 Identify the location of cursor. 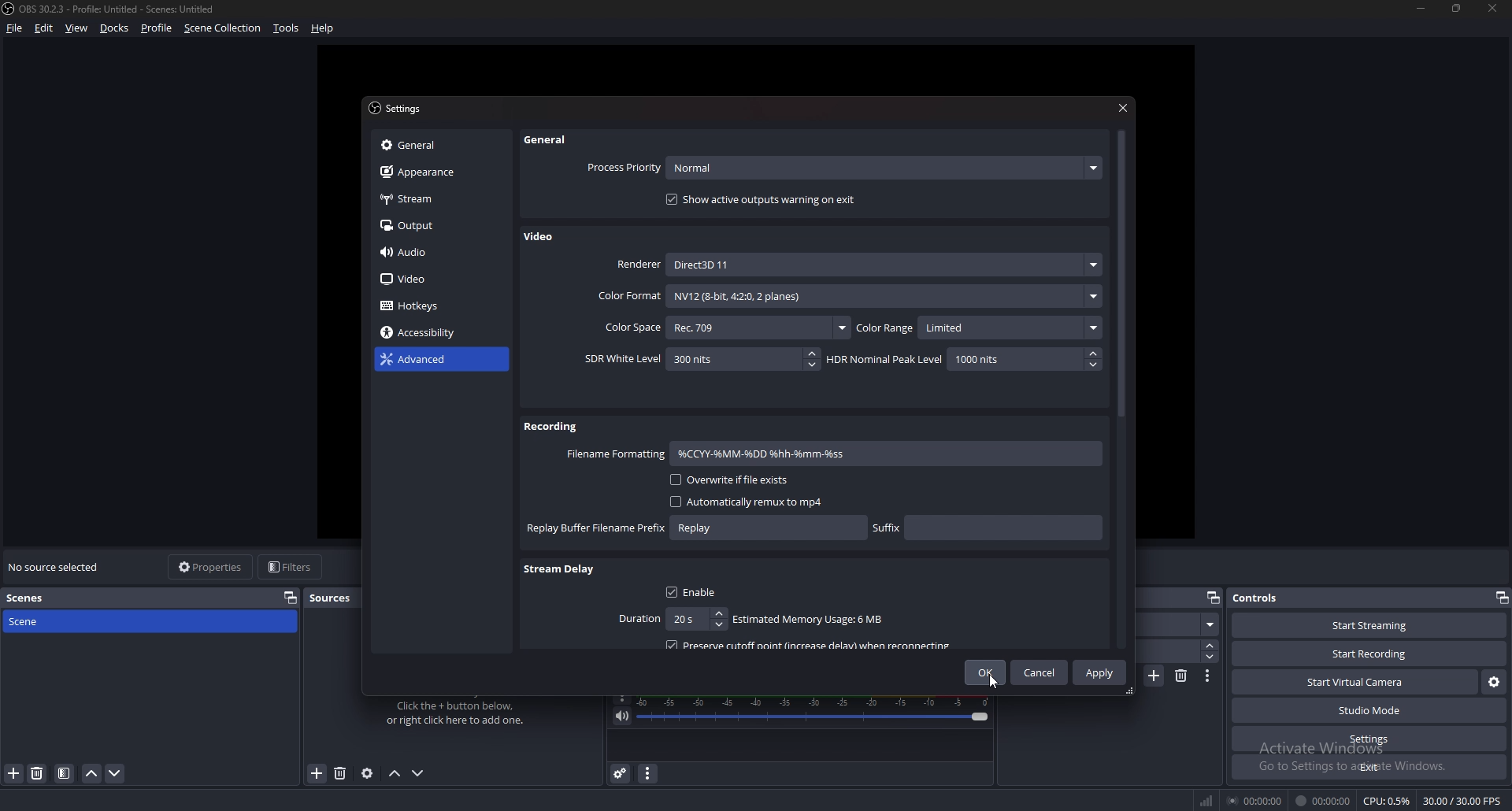
(993, 682).